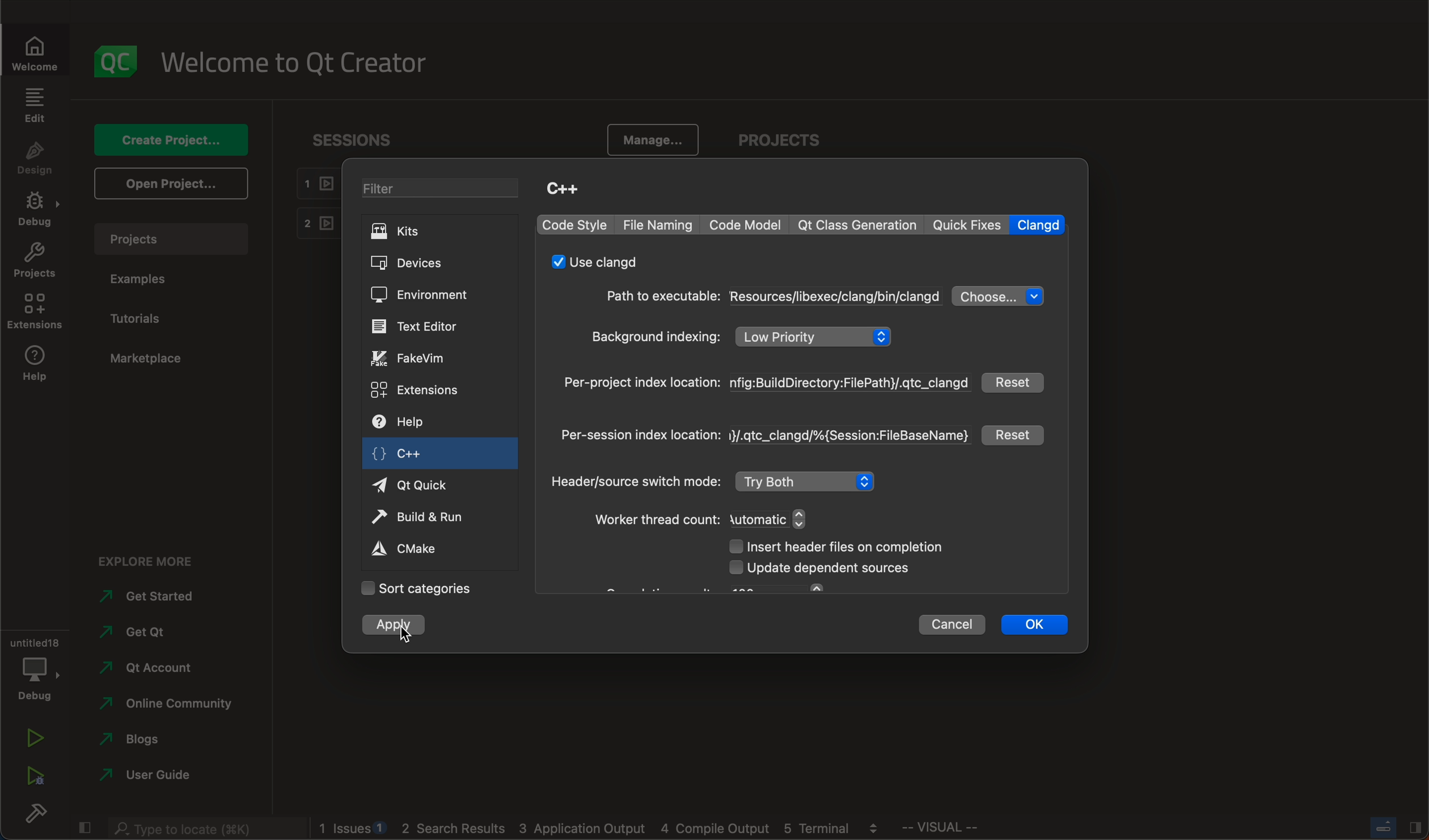  I want to click on categories, so click(427, 591).